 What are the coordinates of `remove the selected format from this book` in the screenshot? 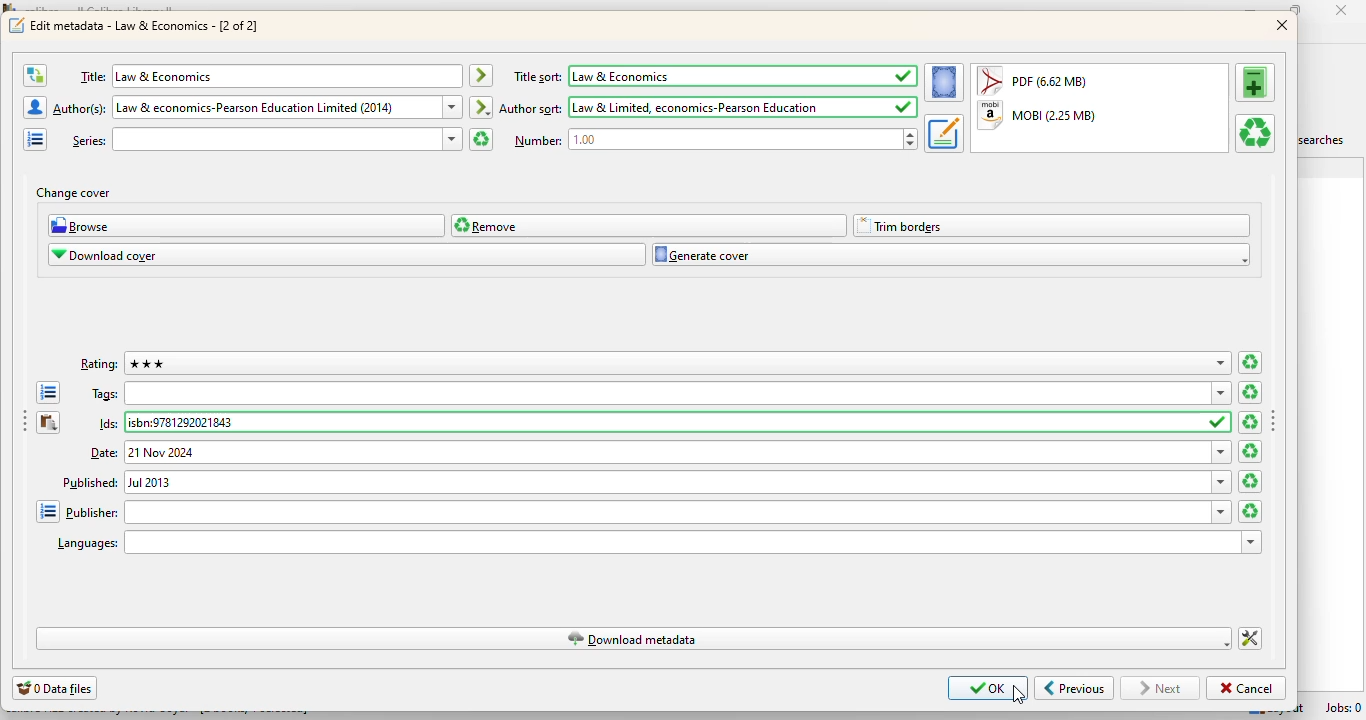 It's located at (1254, 133).